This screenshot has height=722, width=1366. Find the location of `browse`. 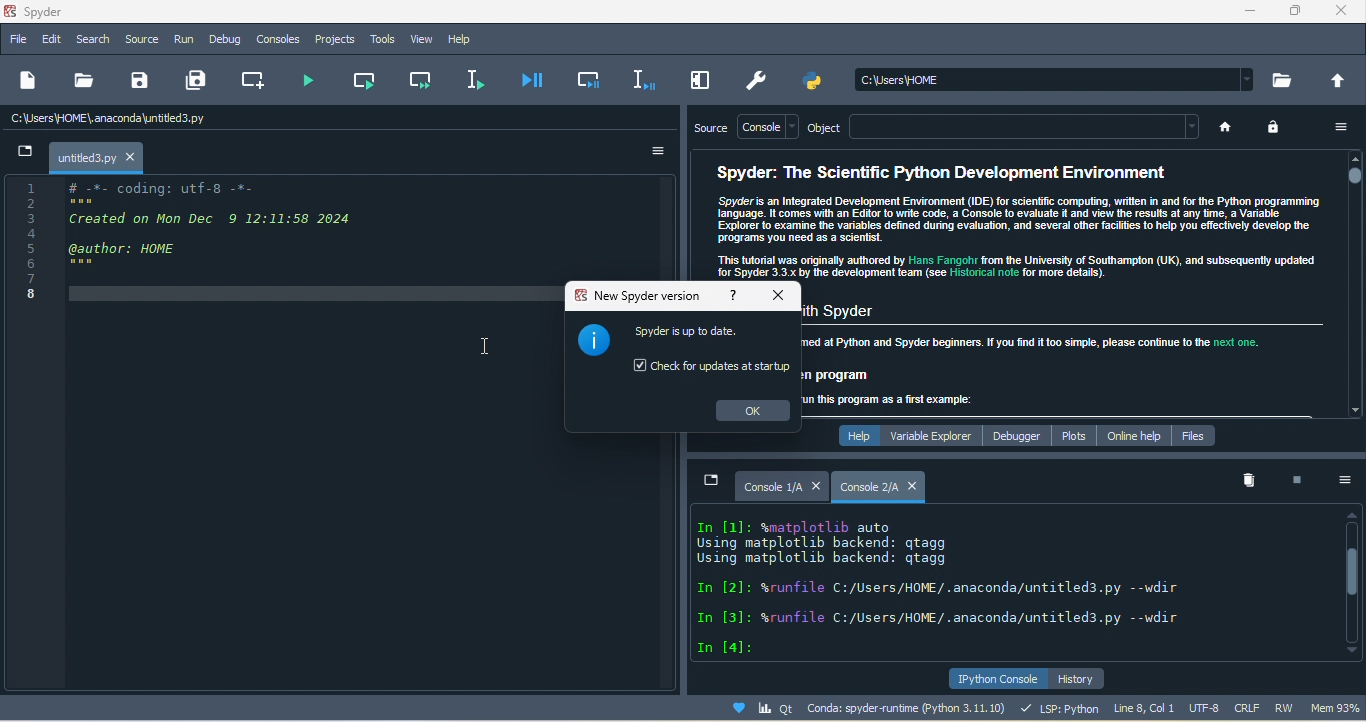

browse is located at coordinates (1285, 79).